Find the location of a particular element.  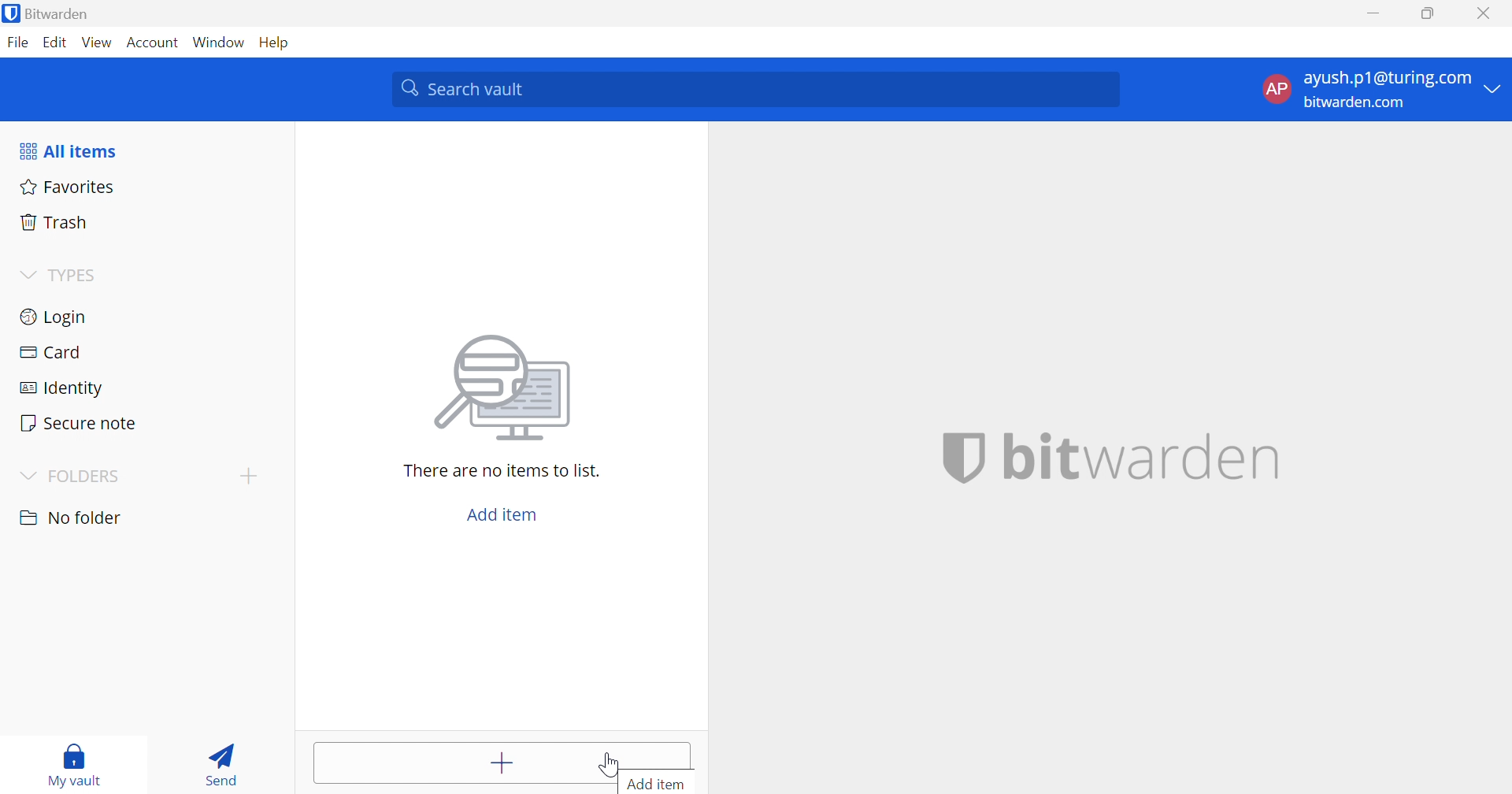

Close is located at coordinates (1486, 15).